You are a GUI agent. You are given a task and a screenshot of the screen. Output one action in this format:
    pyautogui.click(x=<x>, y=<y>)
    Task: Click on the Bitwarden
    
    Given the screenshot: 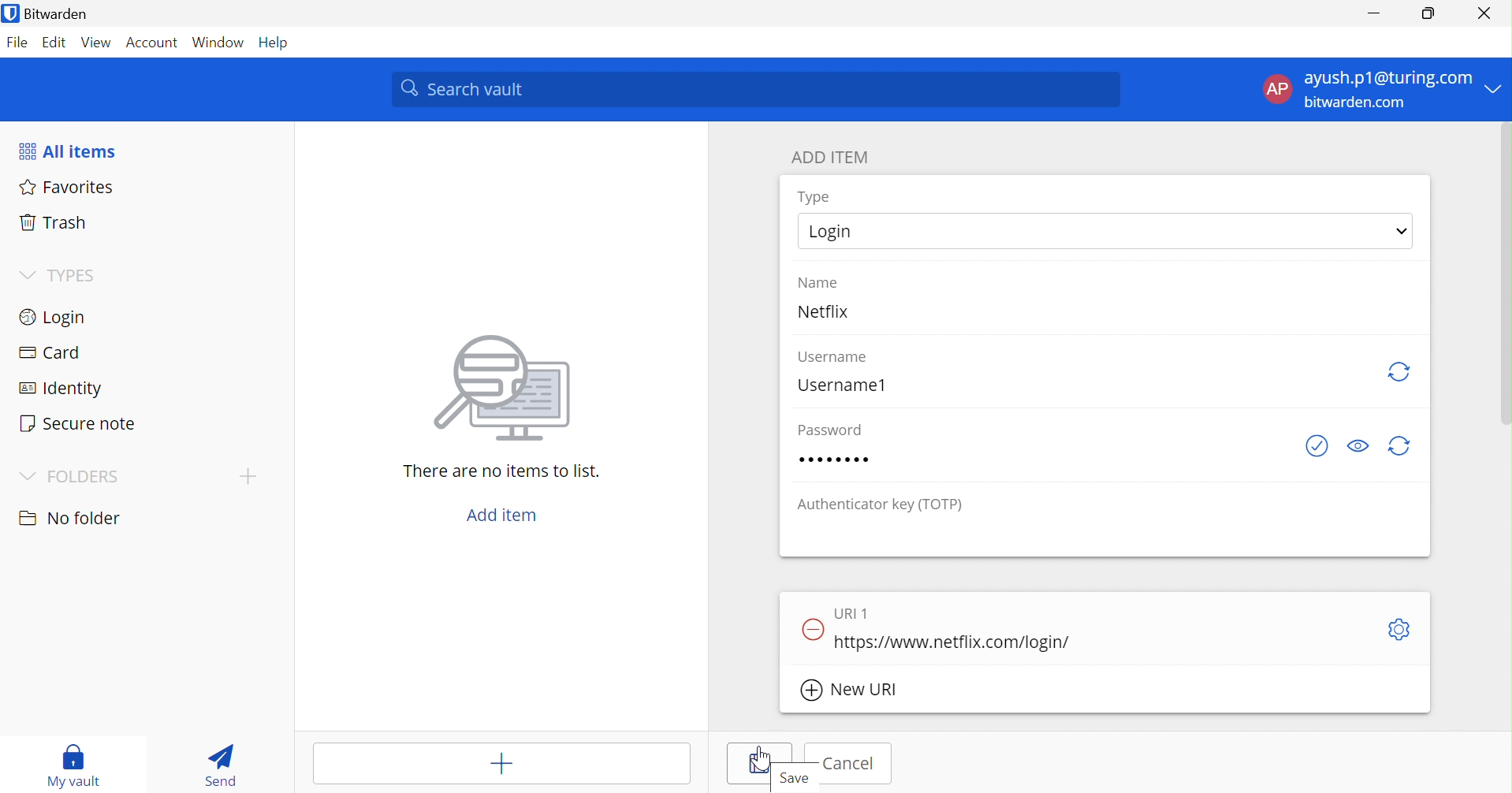 What is the action you would take?
    pyautogui.click(x=46, y=13)
    